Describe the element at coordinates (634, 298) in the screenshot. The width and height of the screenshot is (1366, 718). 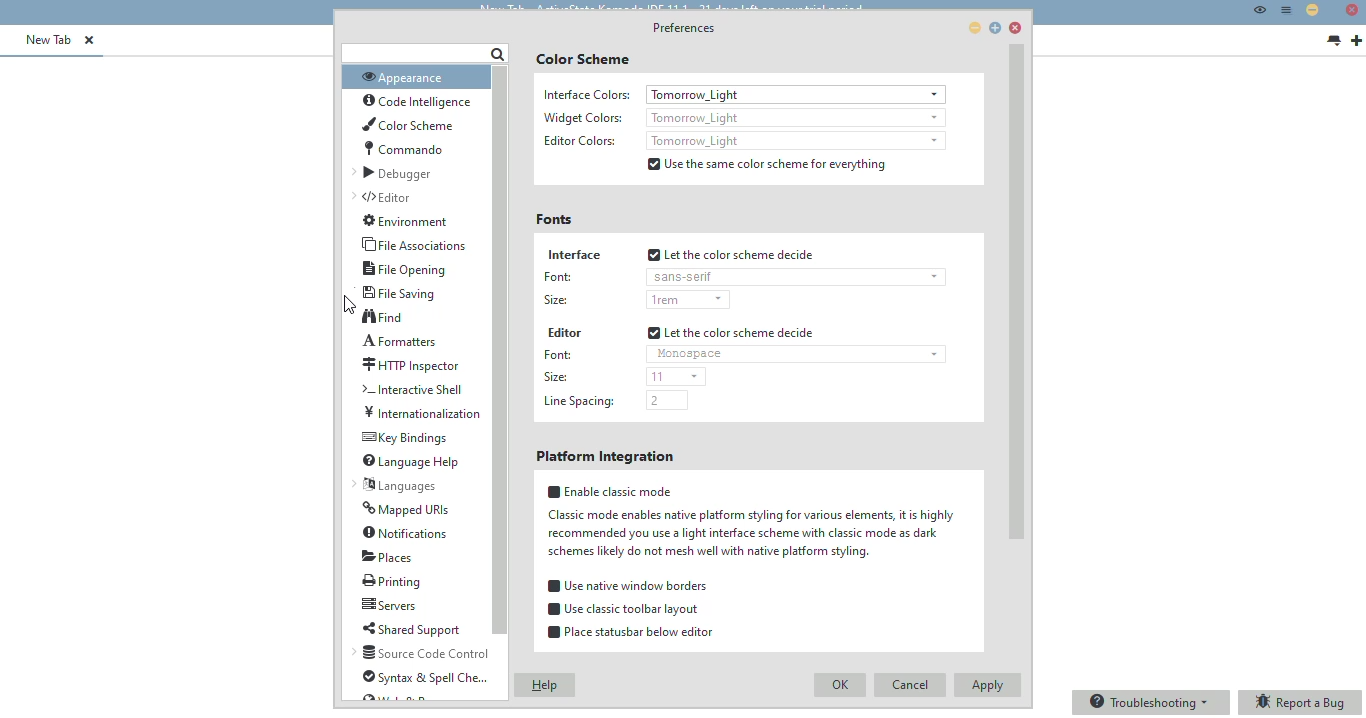
I see `size: 1rem` at that location.